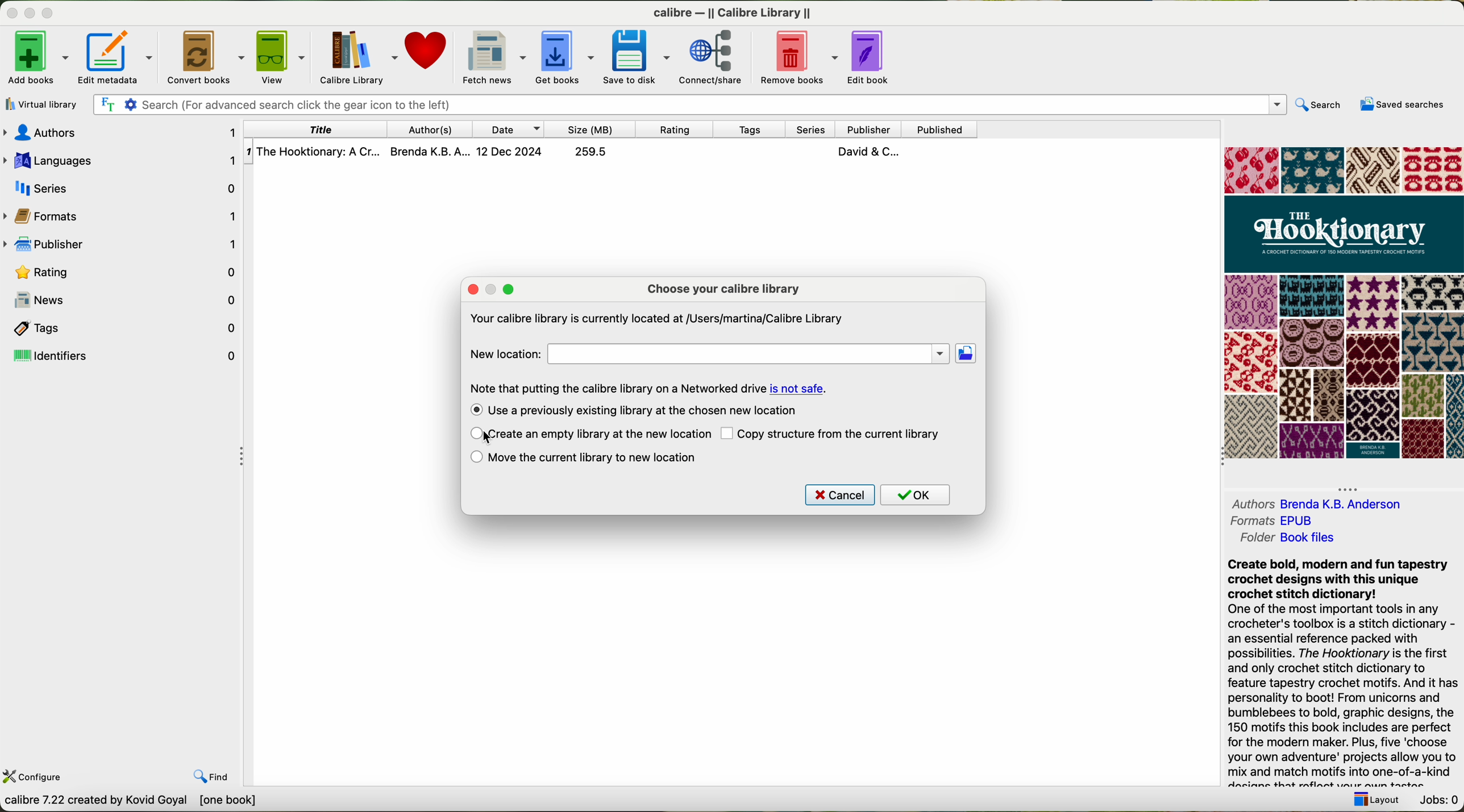 The image size is (1464, 812). Describe the element at coordinates (870, 129) in the screenshot. I see `publisher` at that location.